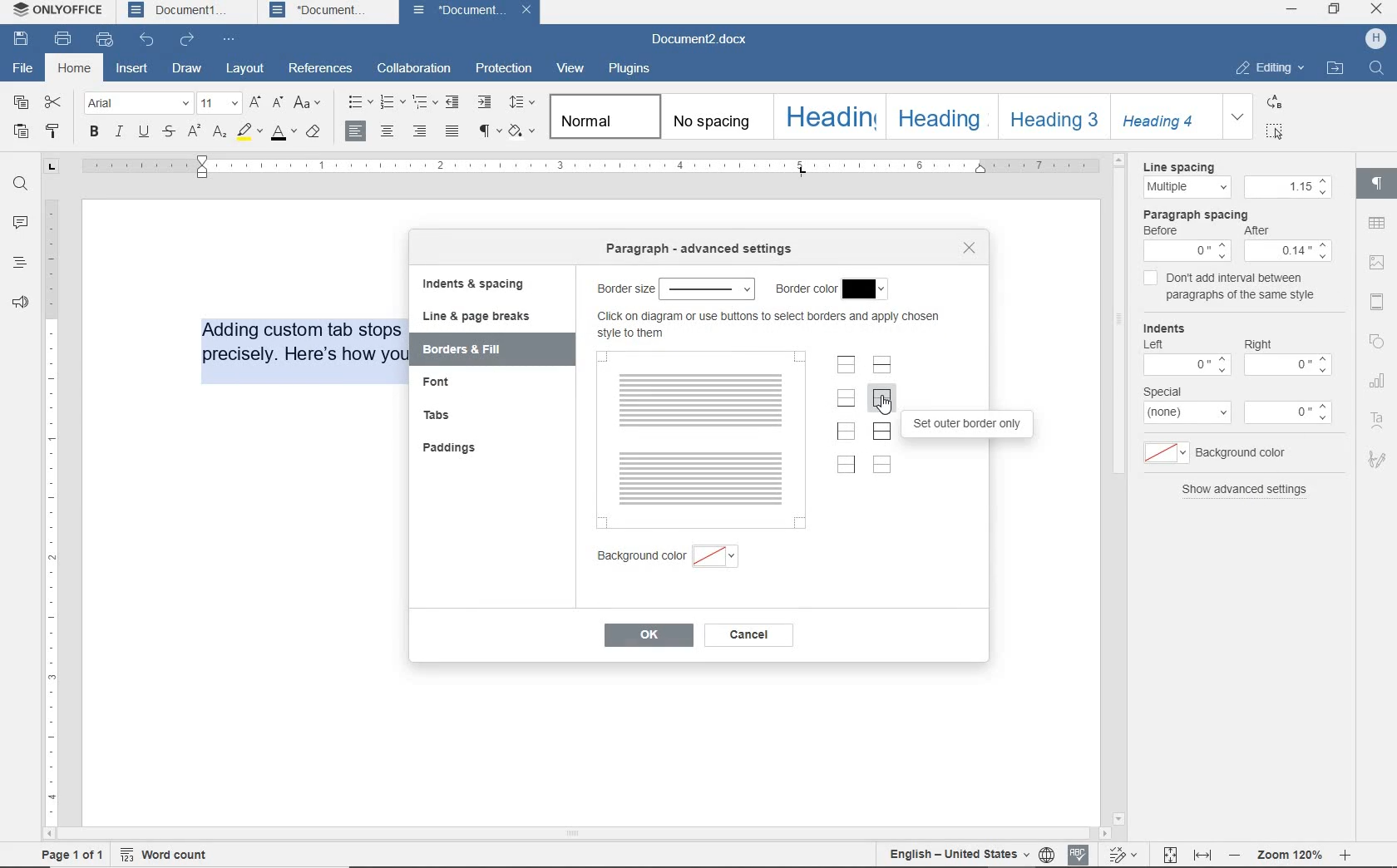  Describe the element at coordinates (454, 447) in the screenshot. I see `paddings` at that location.